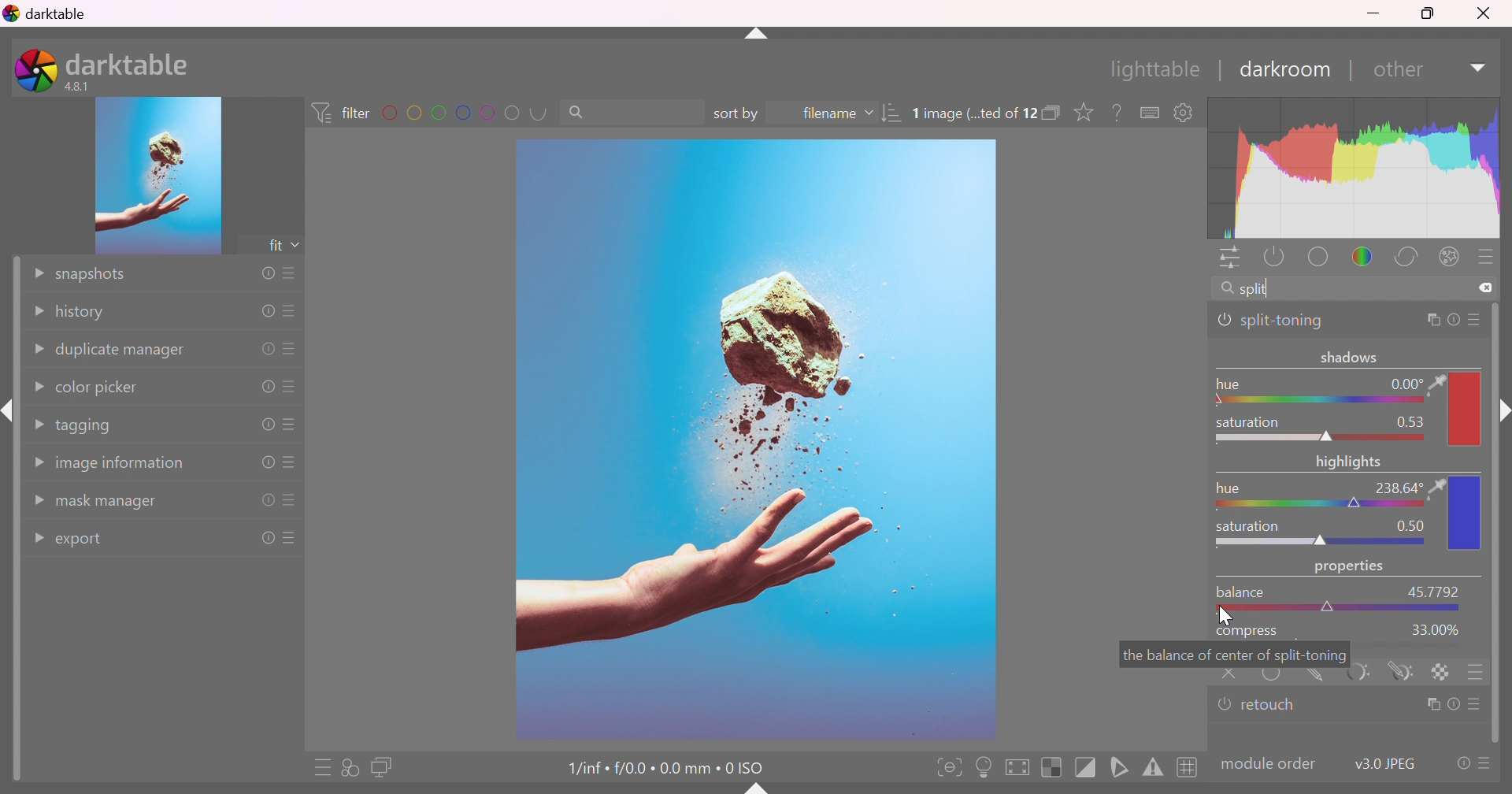 This screenshot has width=1512, height=794. Describe the element at coordinates (35, 537) in the screenshot. I see `Drop Down` at that location.